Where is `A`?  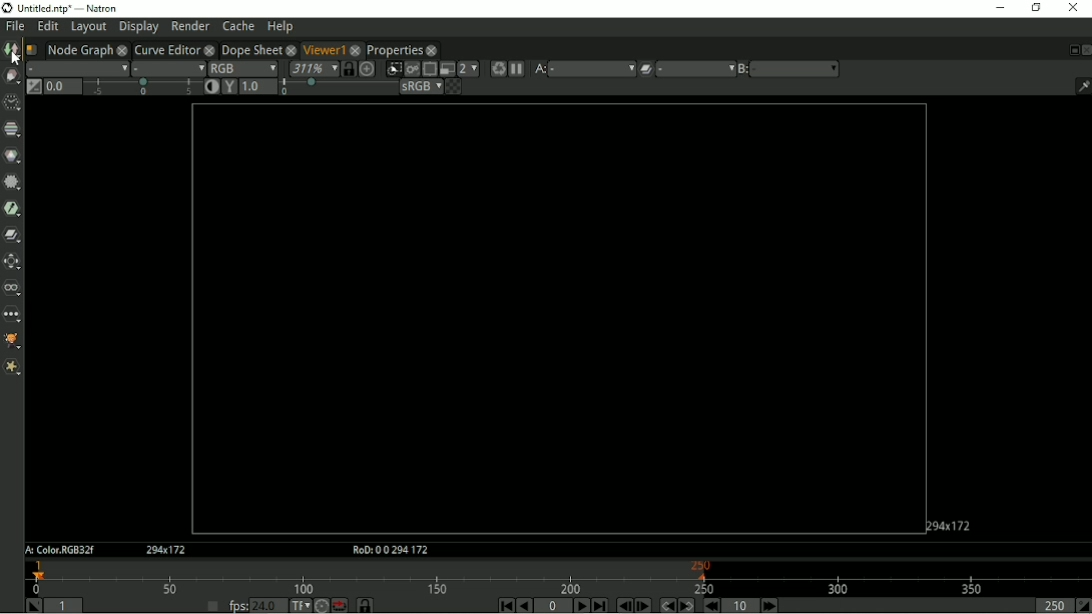
A is located at coordinates (540, 69).